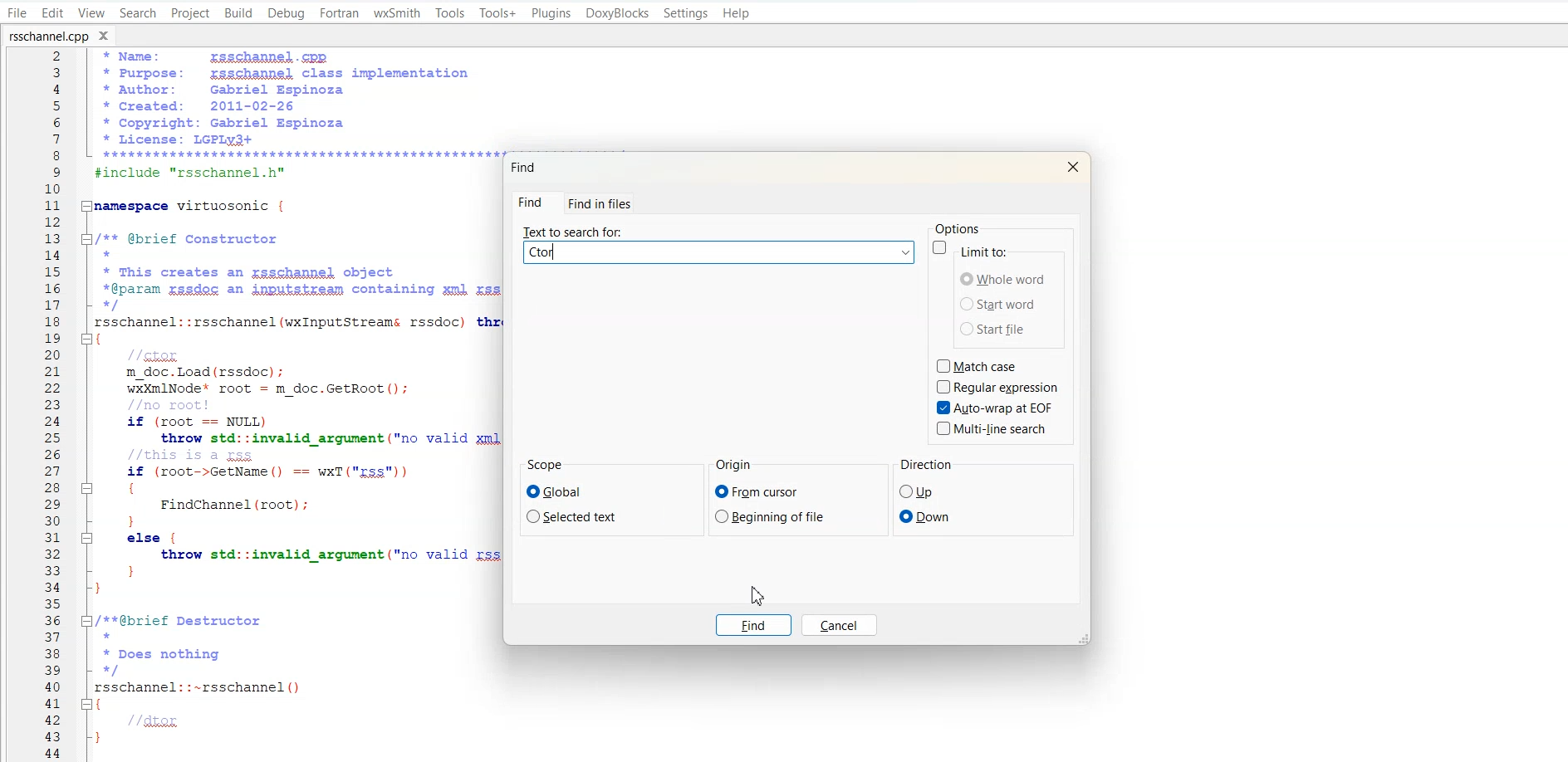  What do you see at coordinates (106, 34) in the screenshot?
I see `Close` at bounding box center [106, 34].